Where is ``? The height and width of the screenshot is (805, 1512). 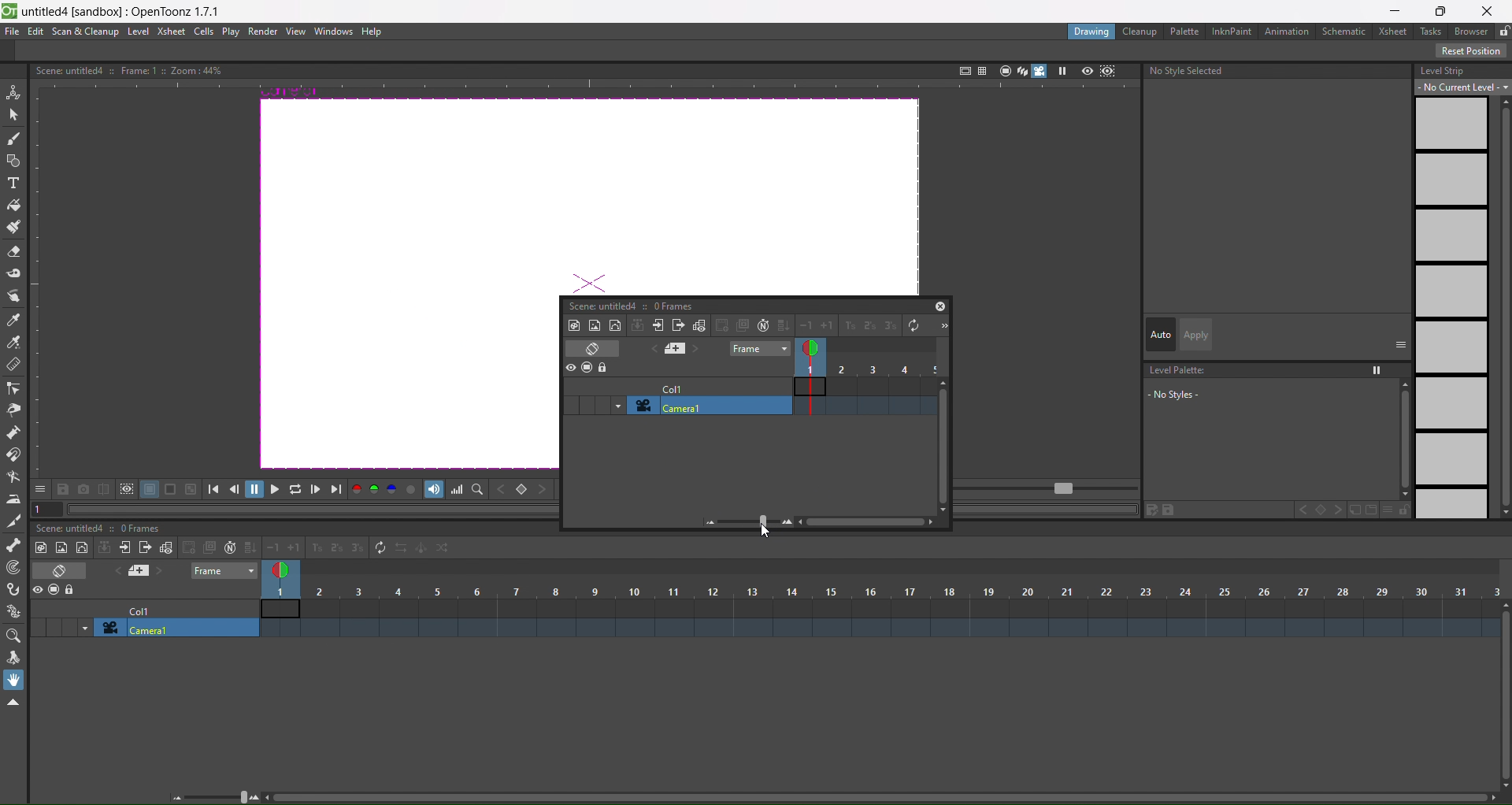  is located at coordinates (914, 325).